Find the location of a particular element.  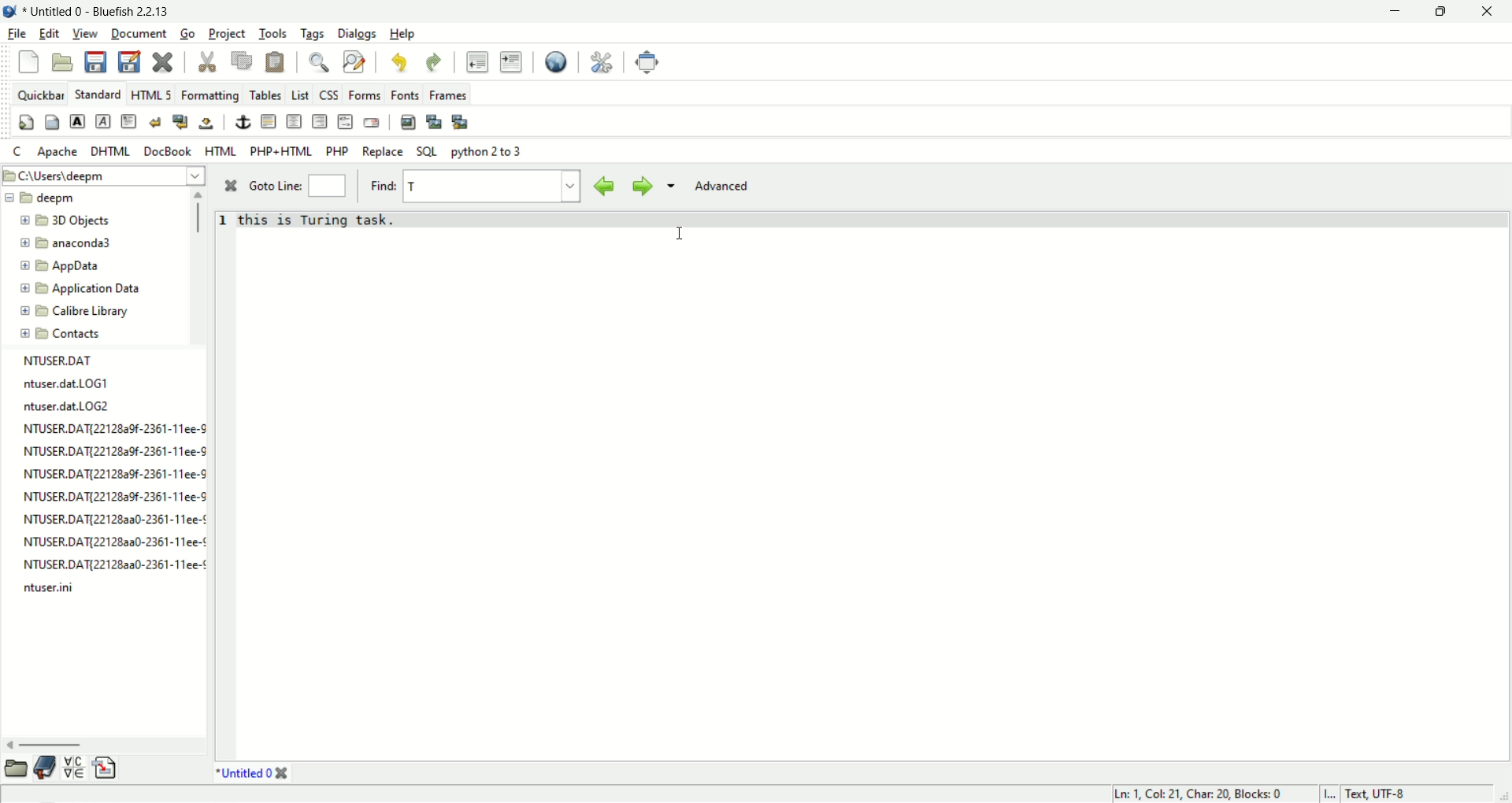

break is located at coordinates (155, 122).